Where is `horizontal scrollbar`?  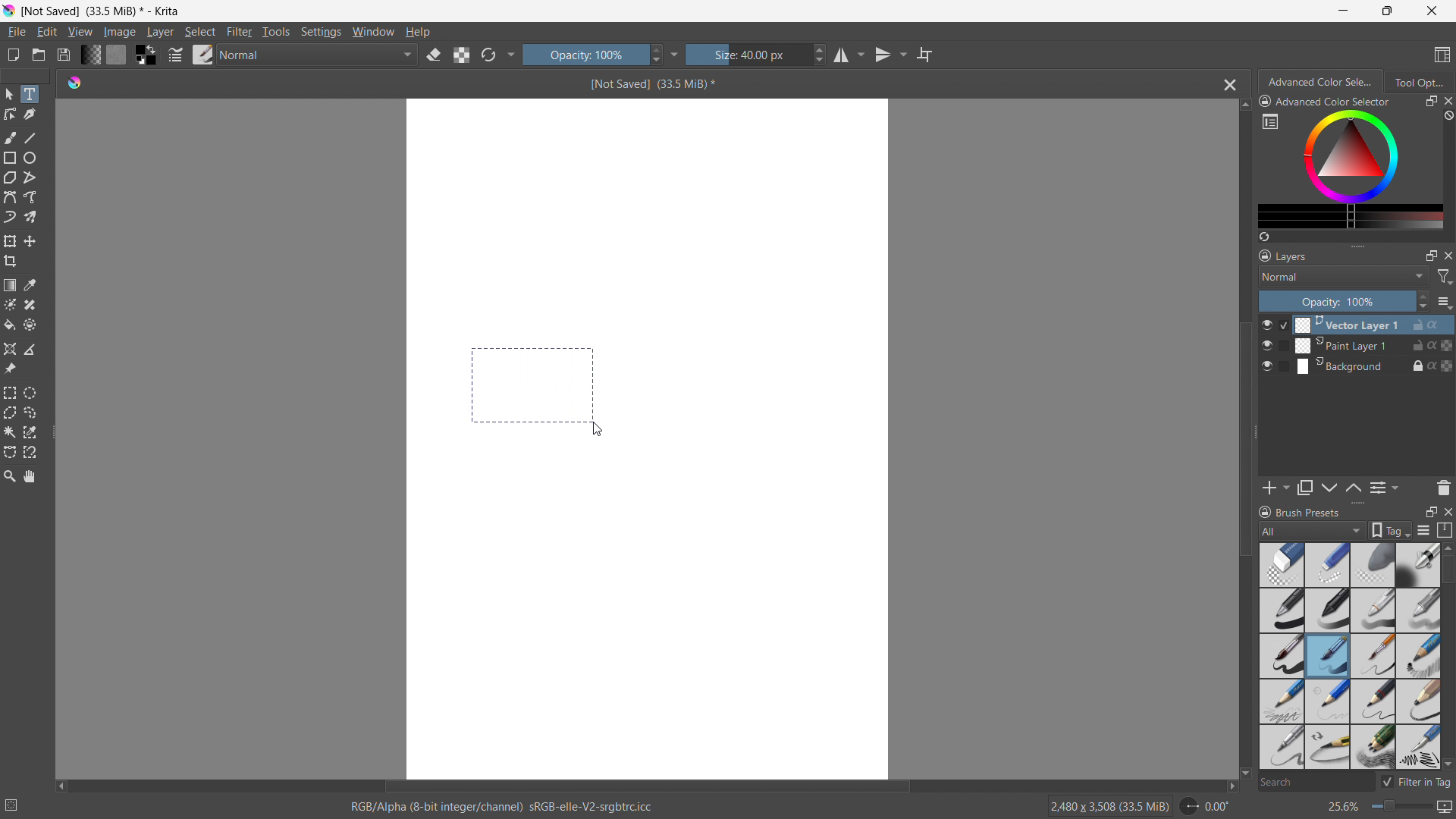
horizontal scrollbar is located at coordinates (646, 784).